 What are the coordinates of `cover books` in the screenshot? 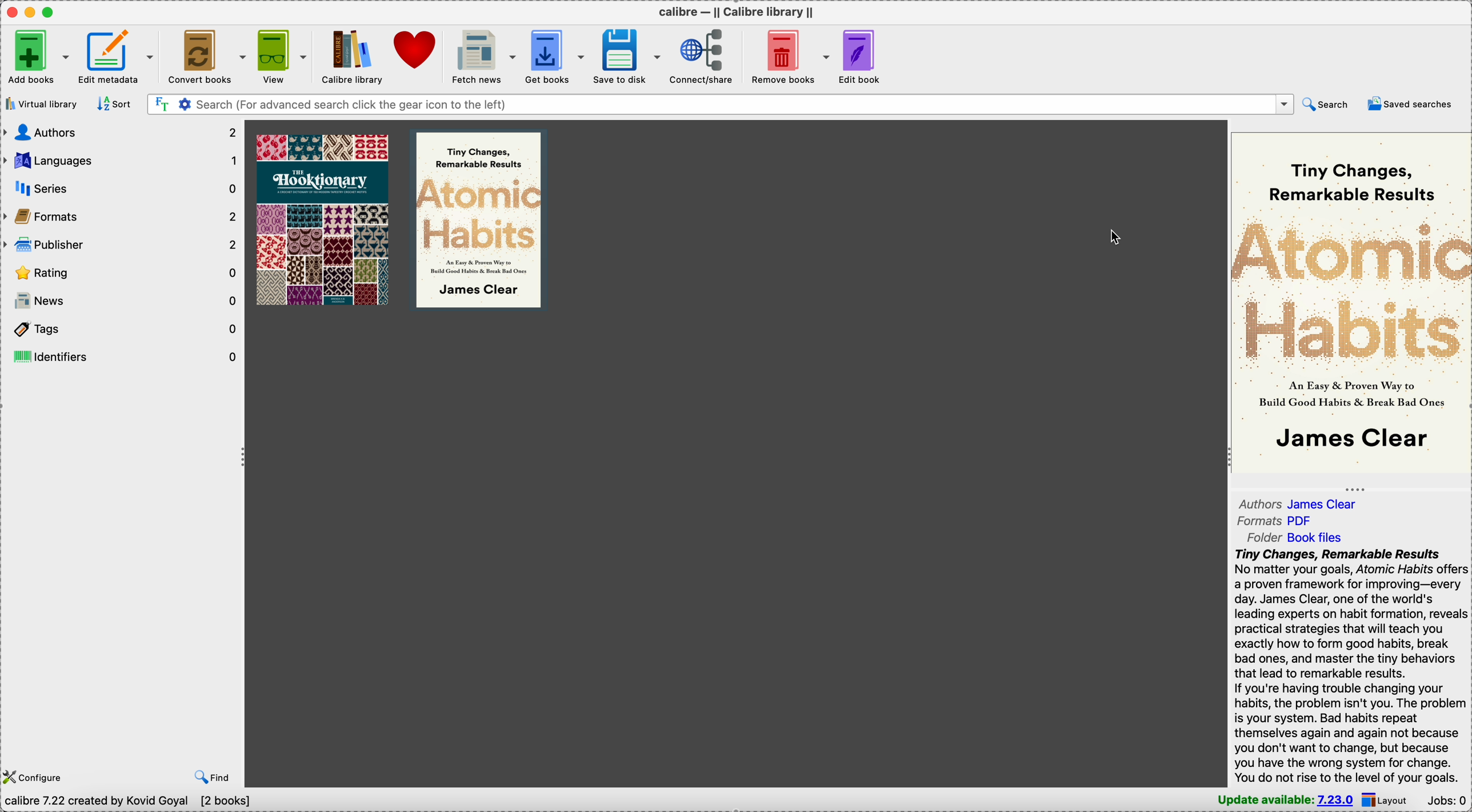 It's located at (206, 55).